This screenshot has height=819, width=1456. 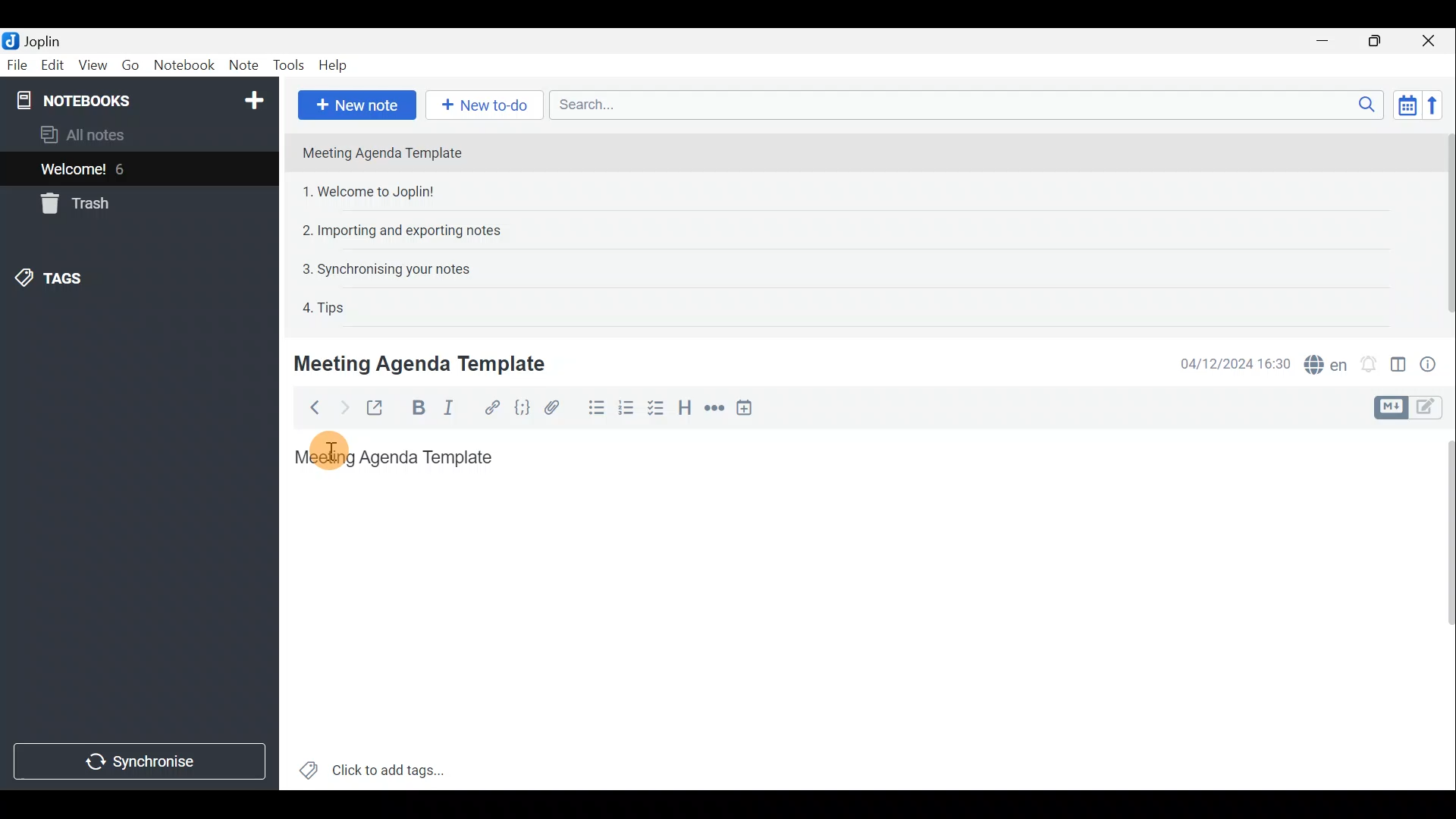 I want to click on Code, so click(x=524, y=410).